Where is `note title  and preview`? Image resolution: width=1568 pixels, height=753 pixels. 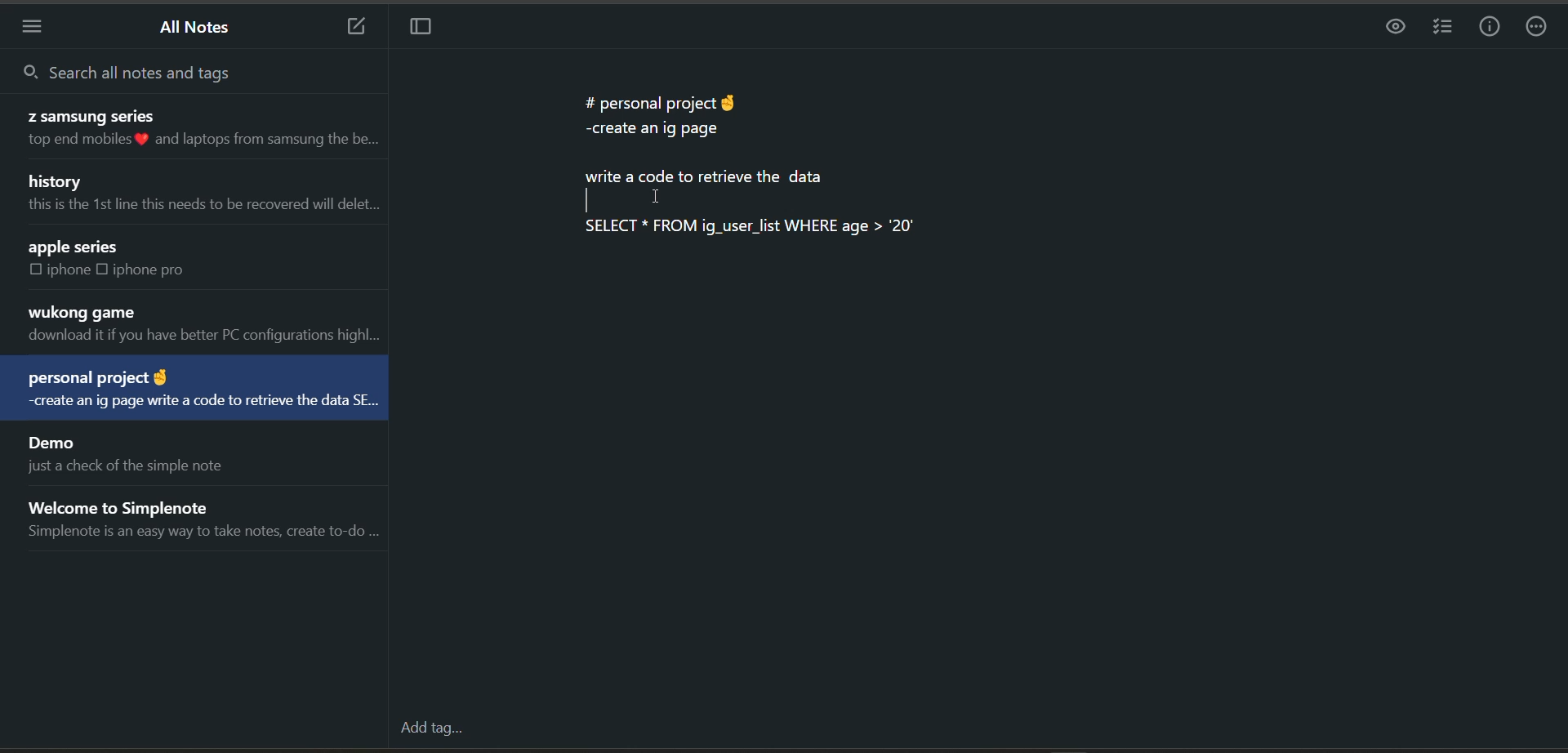
note title  and preview is located at coordinates (191, 130).